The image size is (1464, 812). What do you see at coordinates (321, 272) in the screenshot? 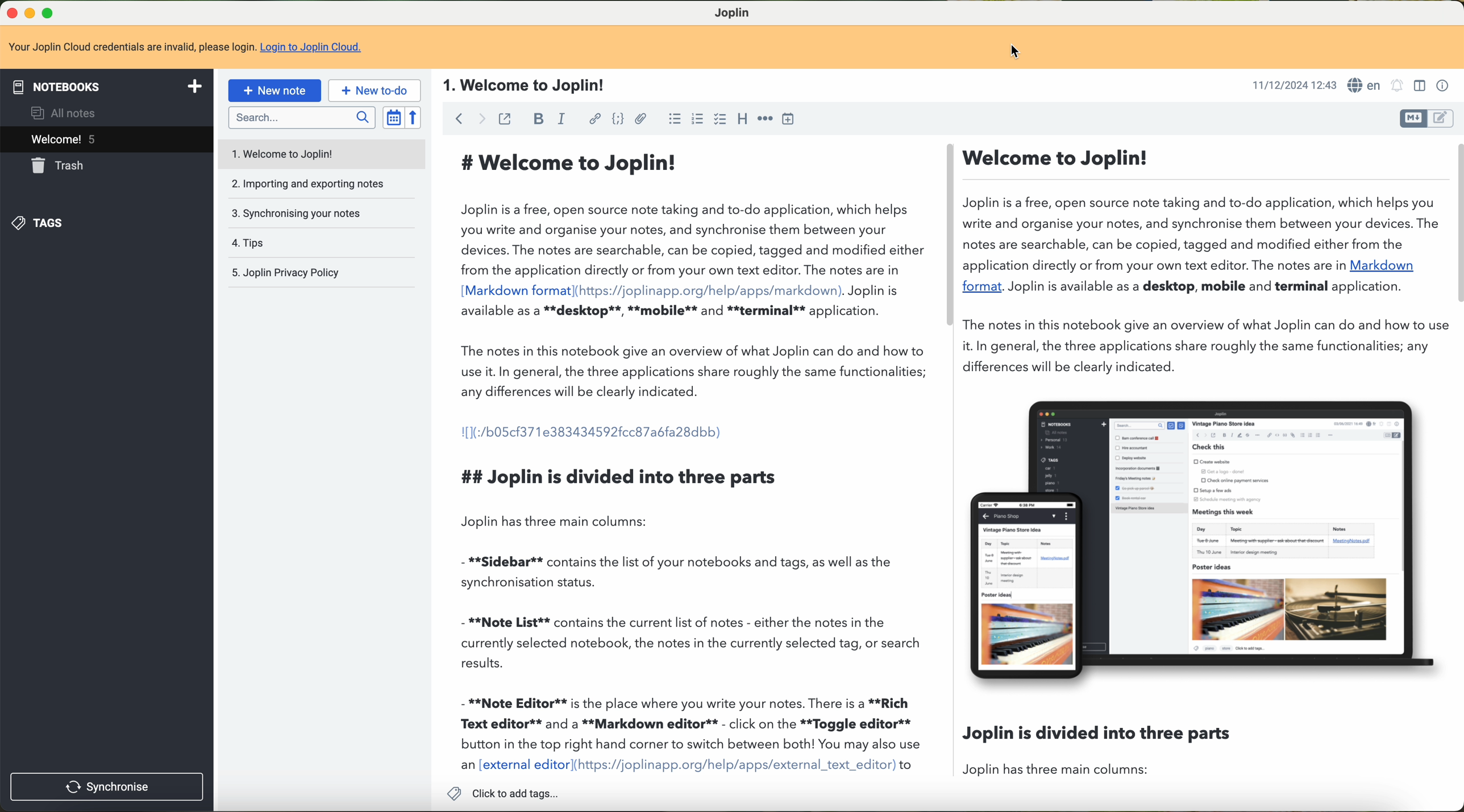
I see `Joplin privacy policy` at bounding box center [321, 272].